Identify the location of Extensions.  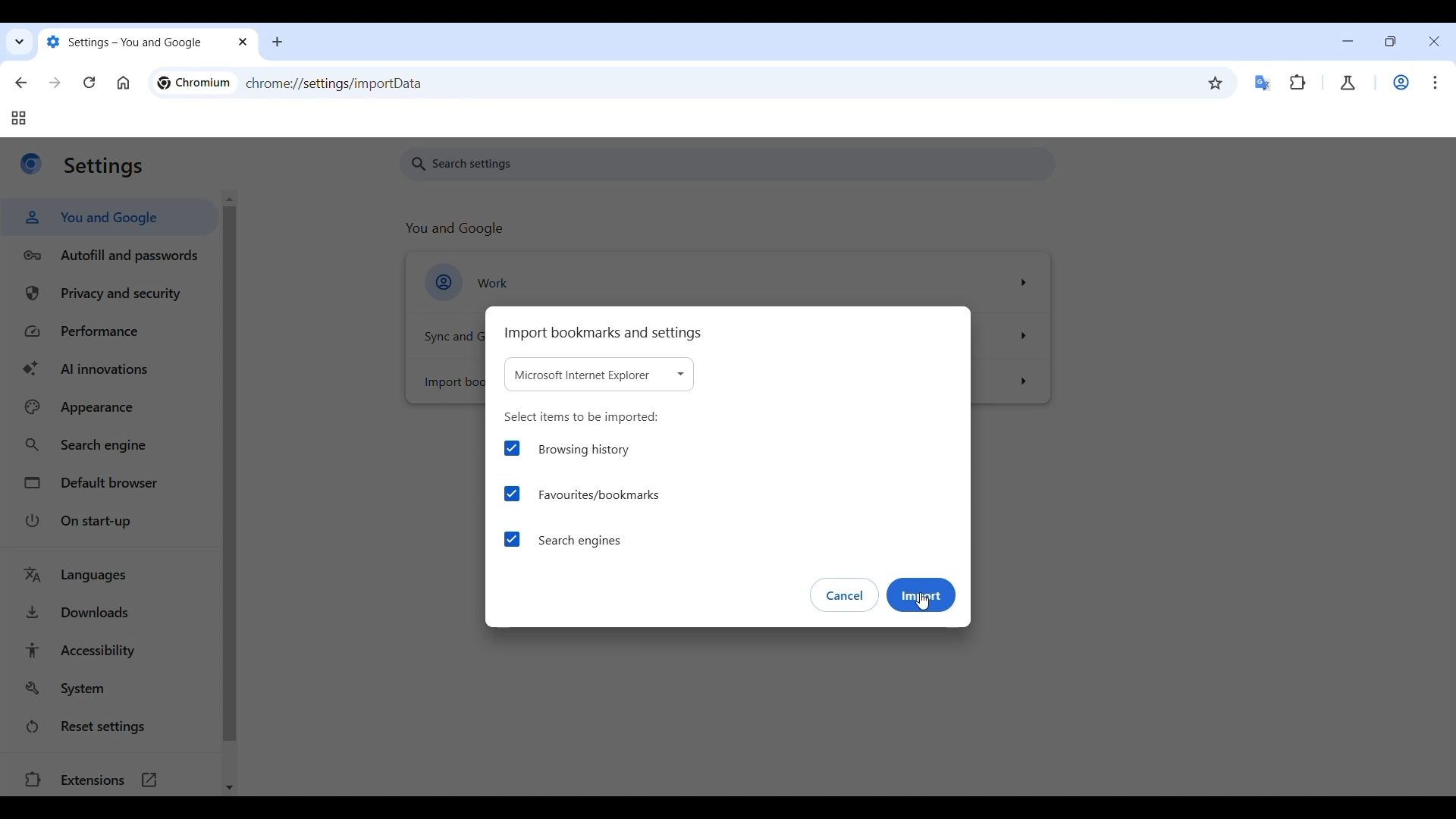
(111, 779).